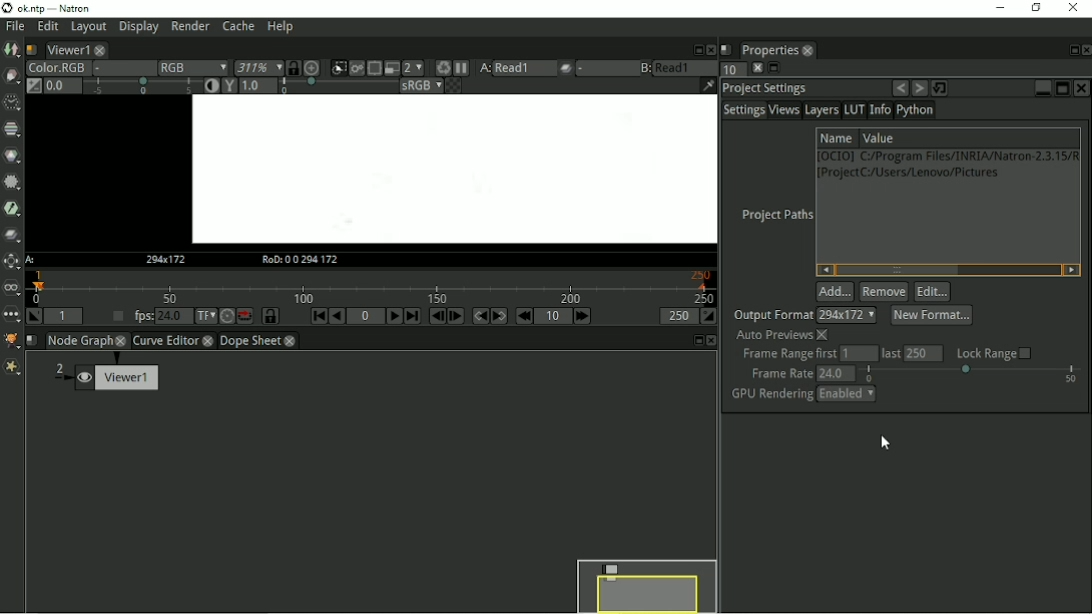 The height and width of the screenshot is (614, 1092). What do you see at coordinates (788, 354) in the screenshot?
I see `Frame Range first` at bounding box center [788, 354].